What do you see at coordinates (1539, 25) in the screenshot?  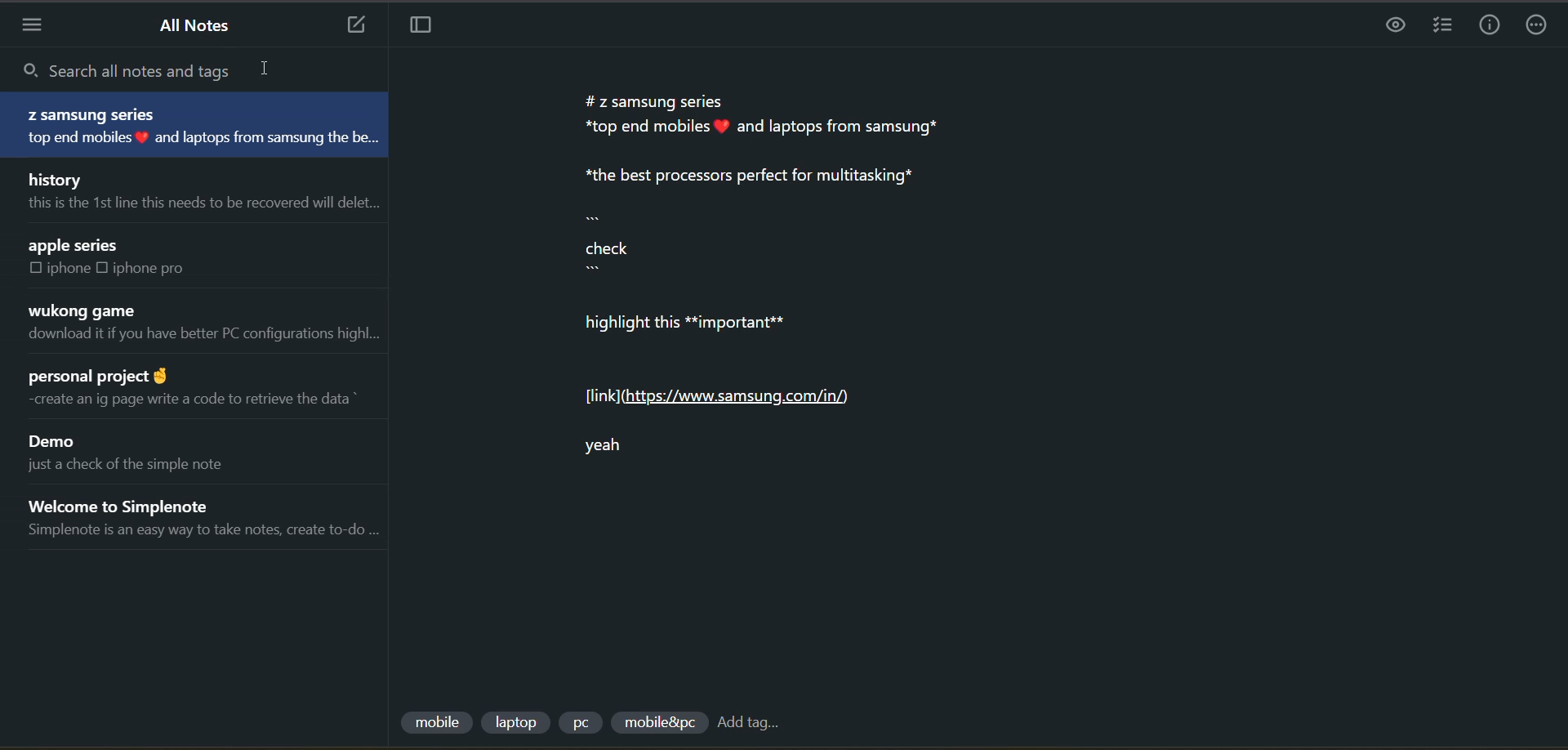 I see `actions` at bounding box center [1539, 25].